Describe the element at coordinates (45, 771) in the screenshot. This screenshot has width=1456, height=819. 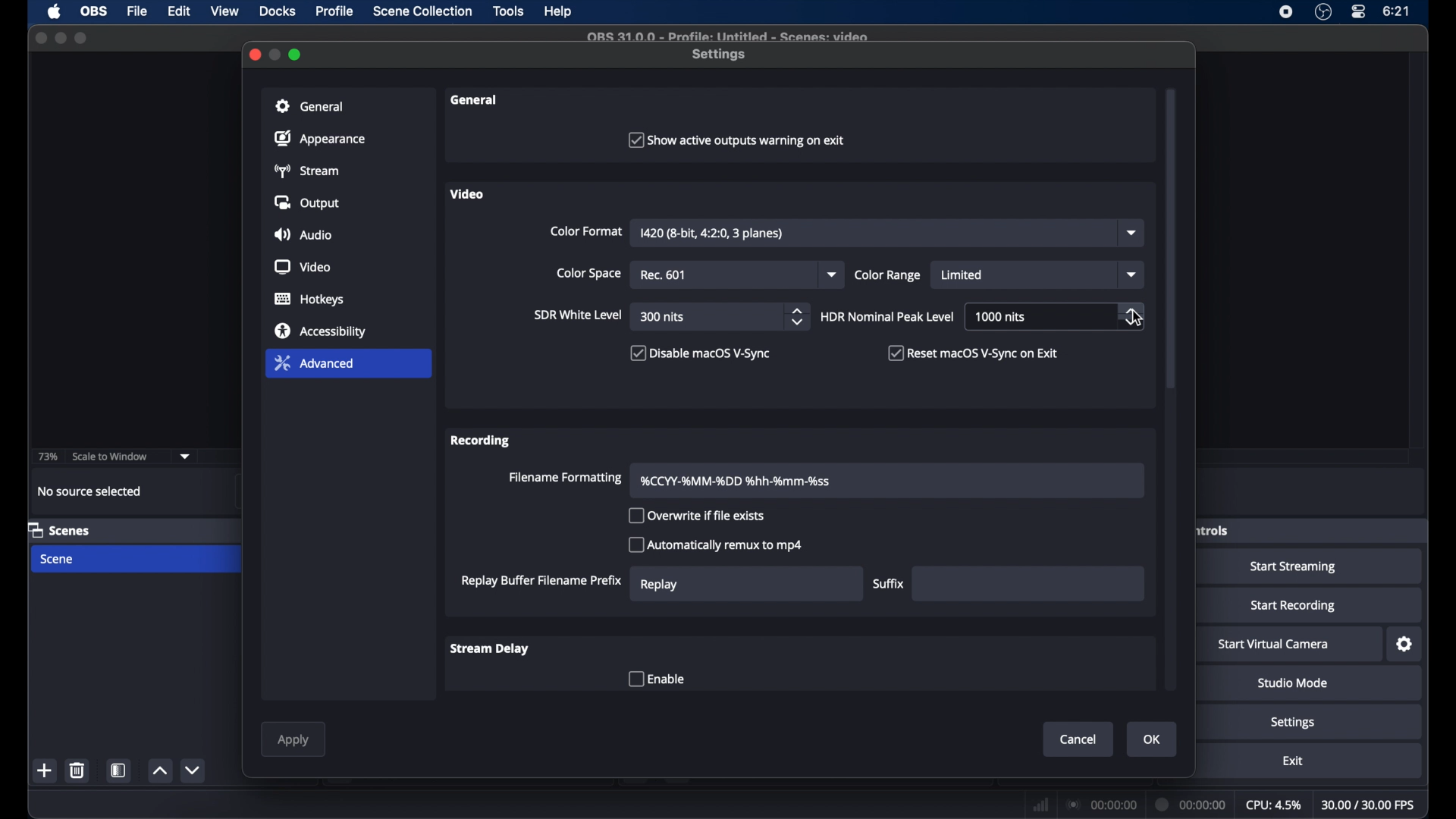
I see `add` at that location.